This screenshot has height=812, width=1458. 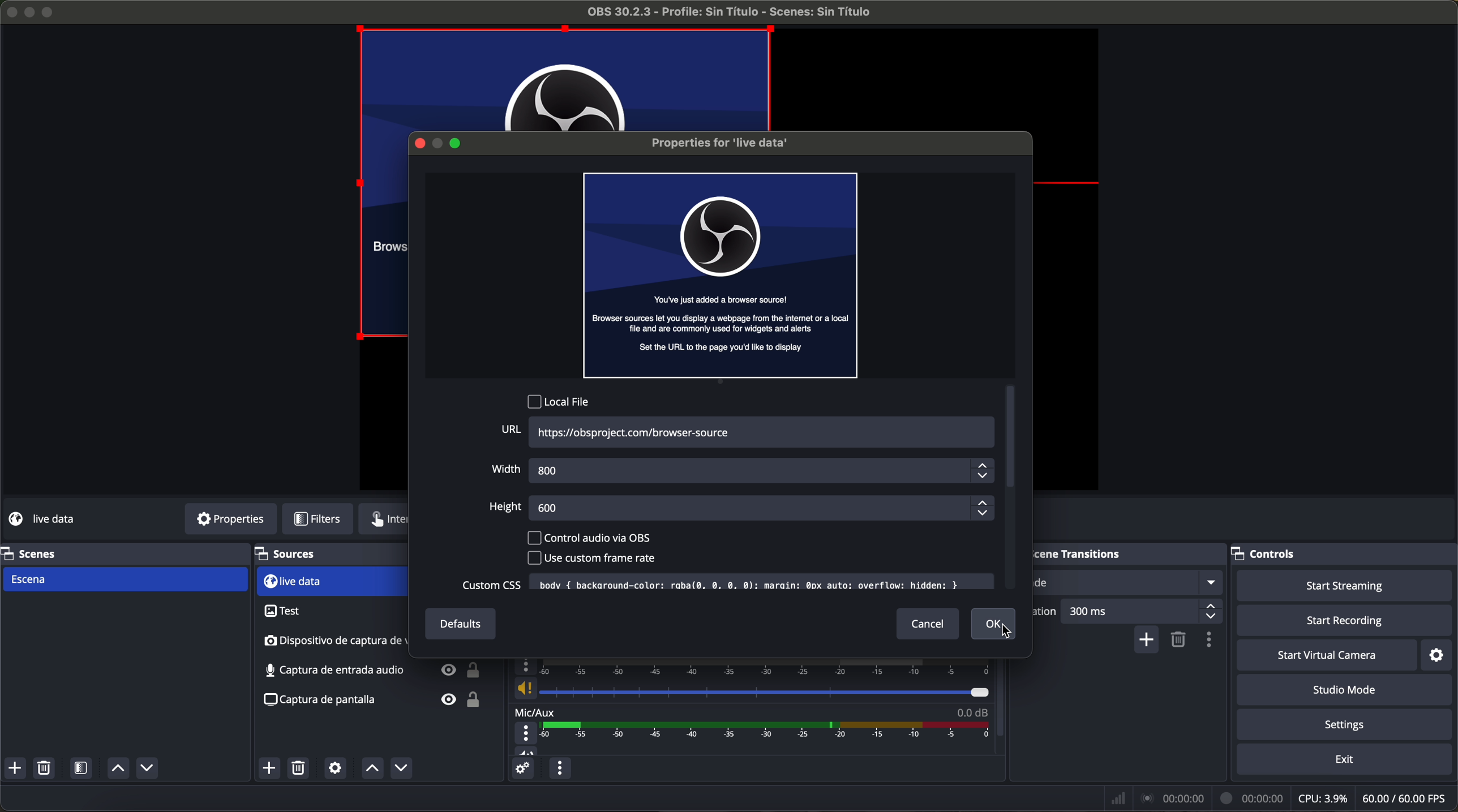 I want to click on scene, so click(x=127, y=579).